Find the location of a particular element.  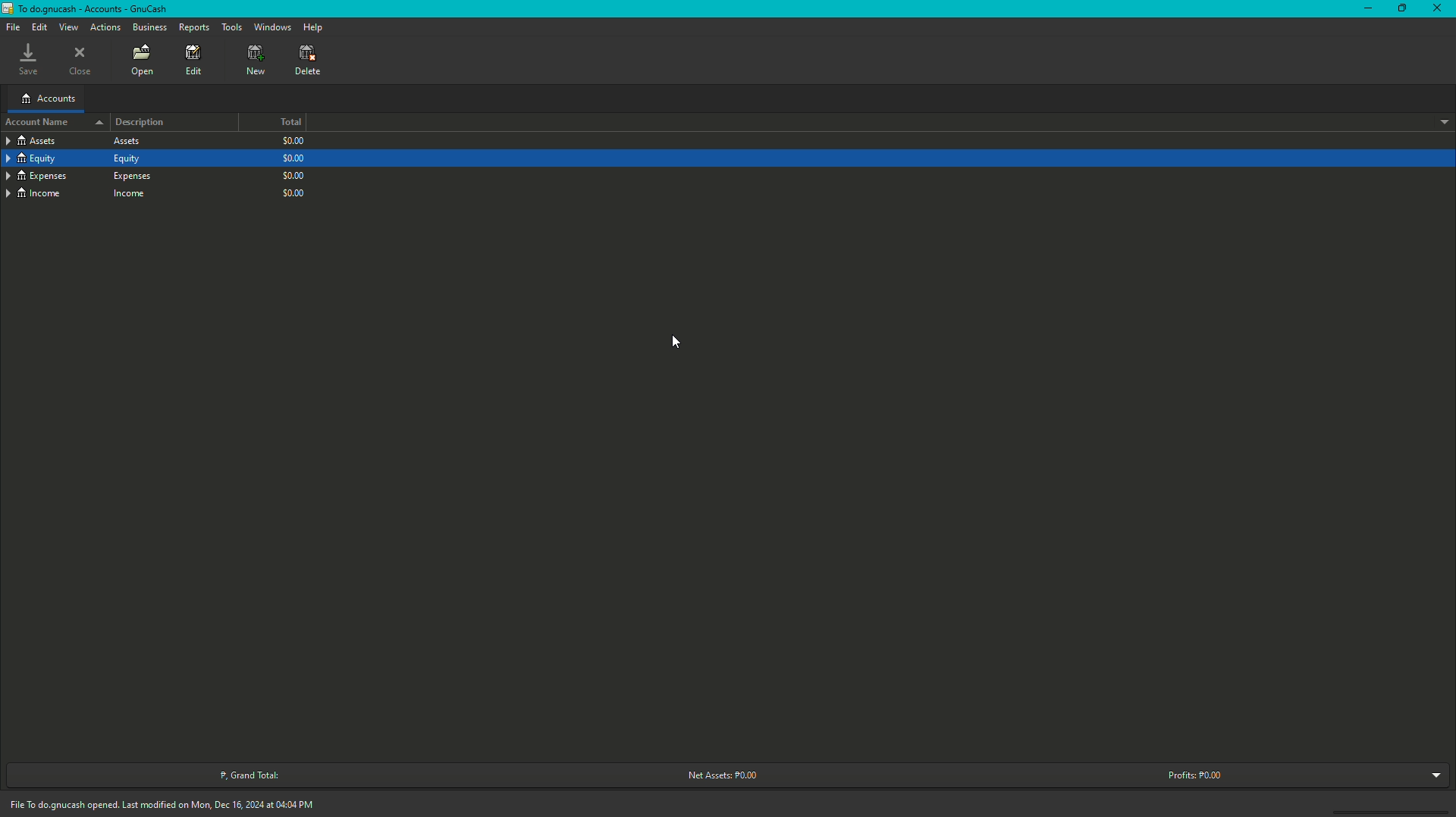

New is located at coordinates (256, 60).